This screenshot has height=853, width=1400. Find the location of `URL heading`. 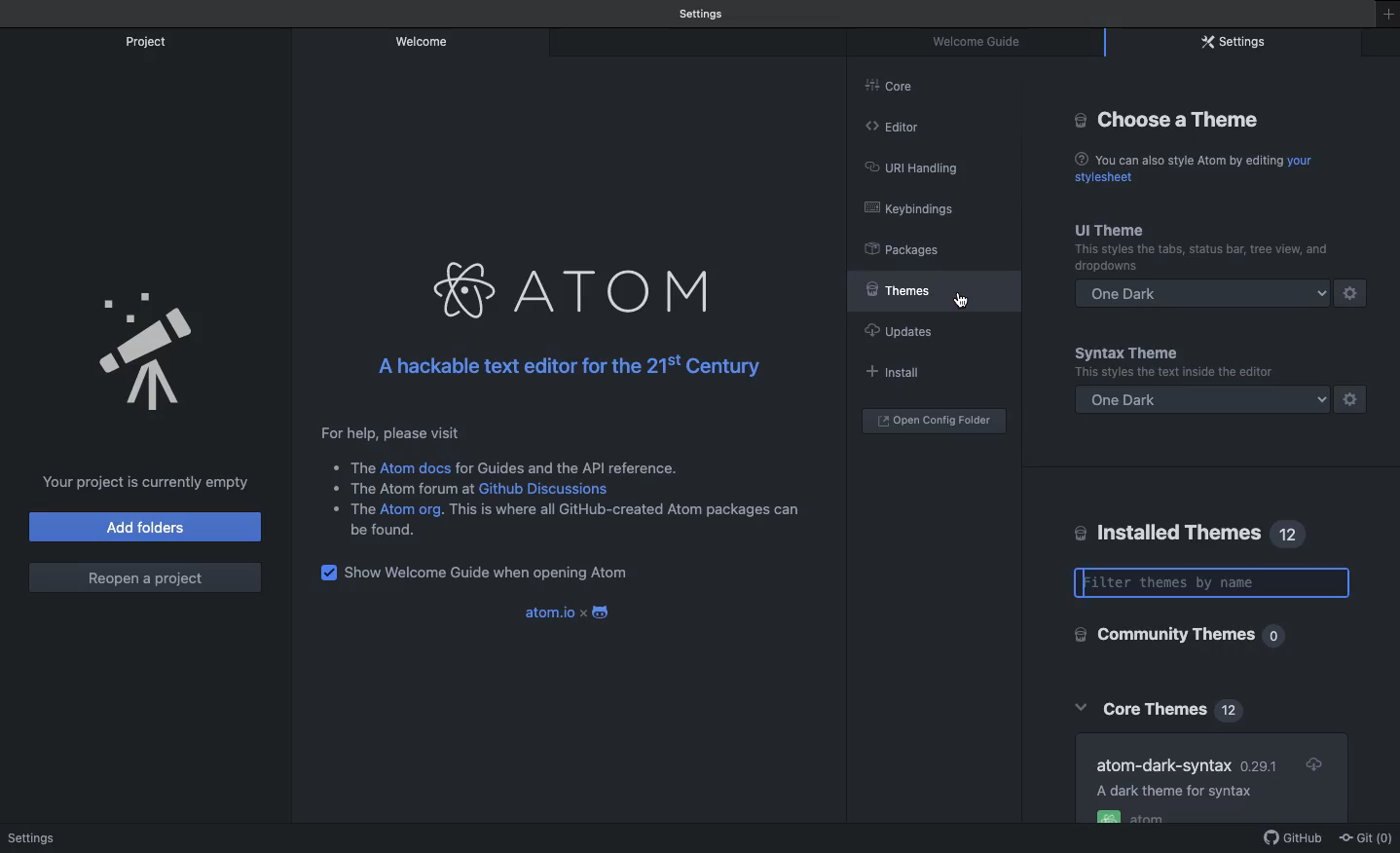

URL heading is located at coordinates (916, 167).